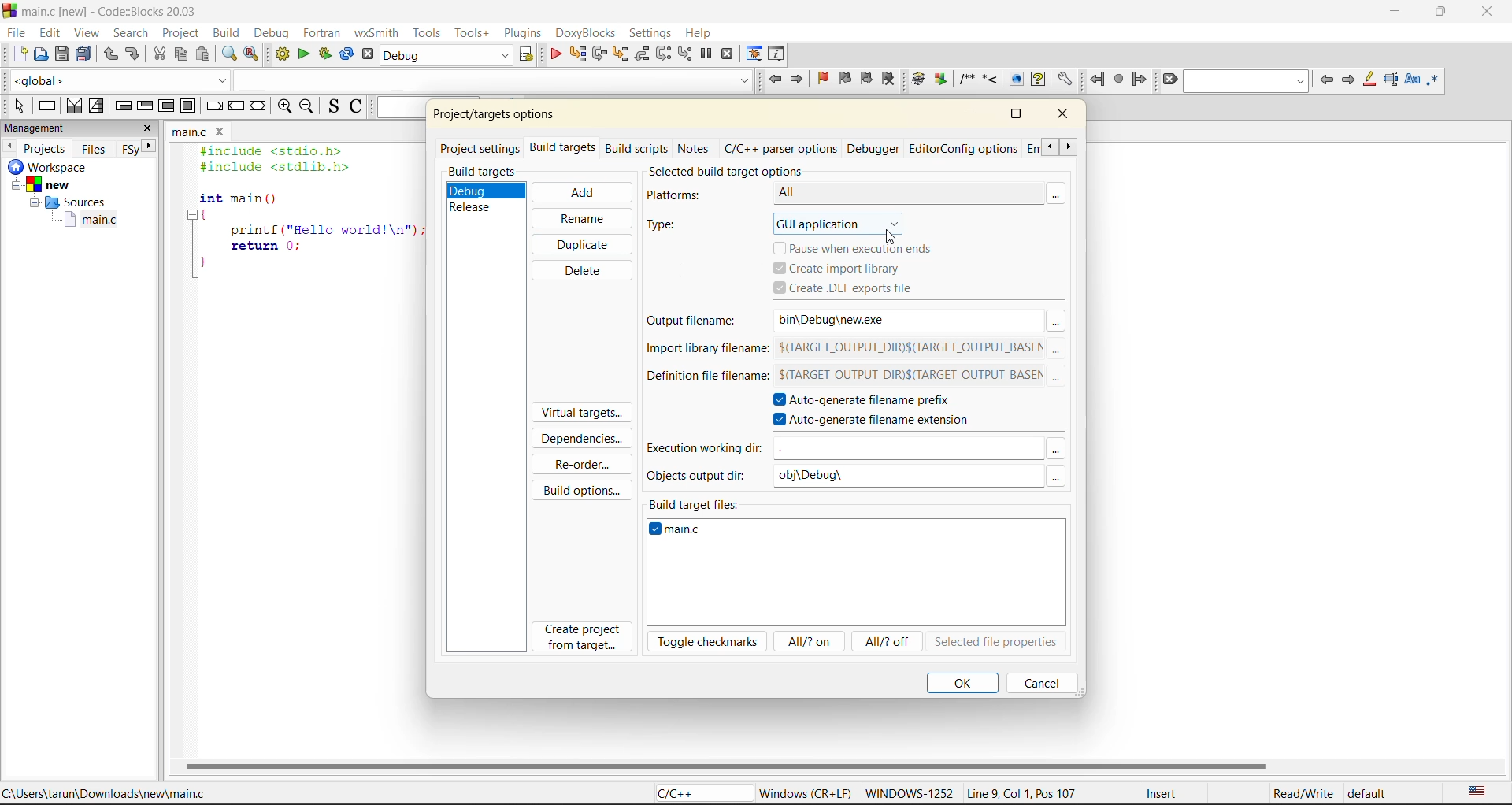 The width and height of the screenshot is (1512, 805). What do you see at coordinates (580, 414) in the screenshot?
I see `virtual targets` at bounding box center [580, 414].